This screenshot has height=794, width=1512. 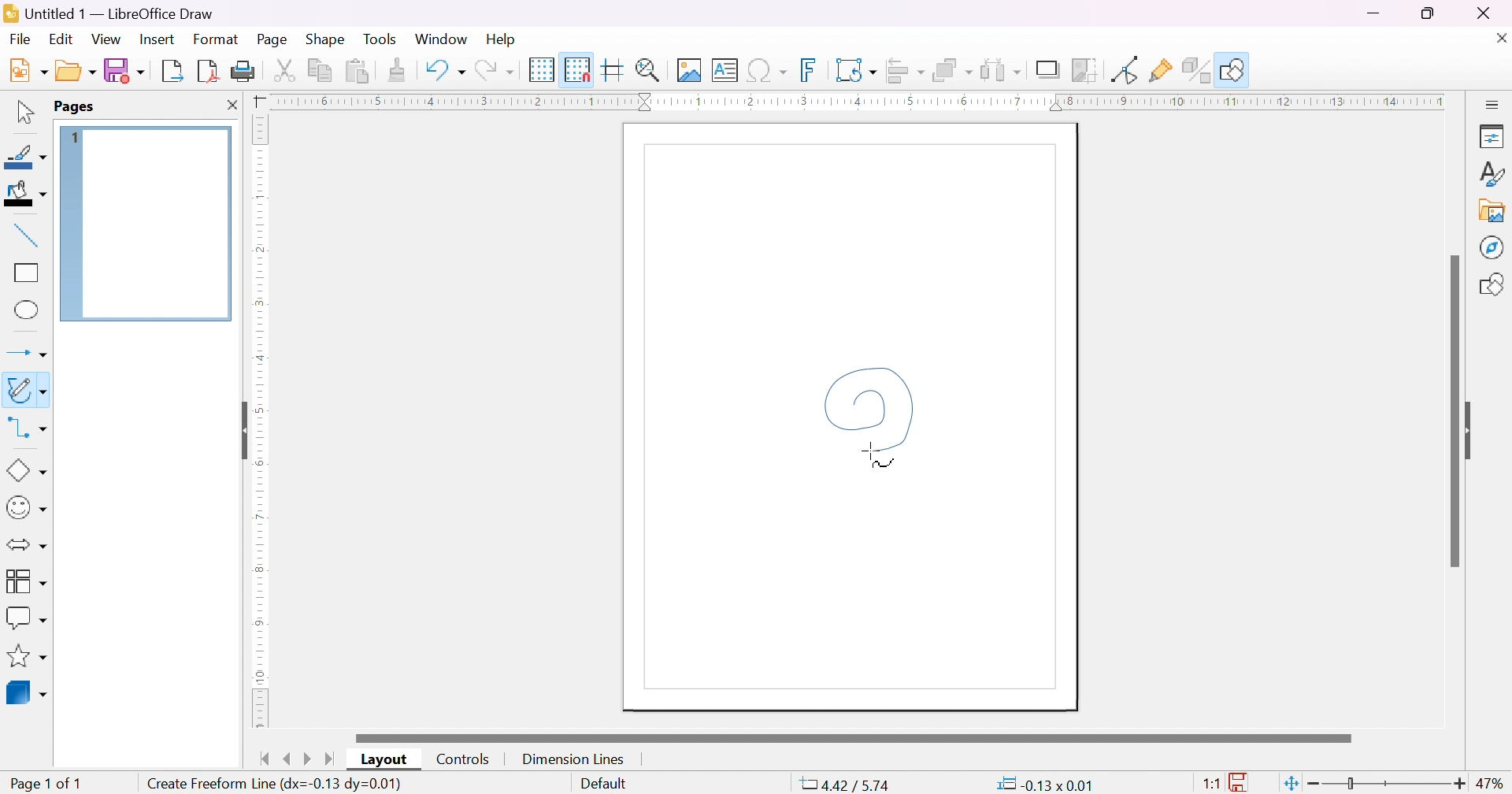 What do you see at coordinates (24, 192) in the screenshot?
I see `fill color` at bounding box center [24, 192].